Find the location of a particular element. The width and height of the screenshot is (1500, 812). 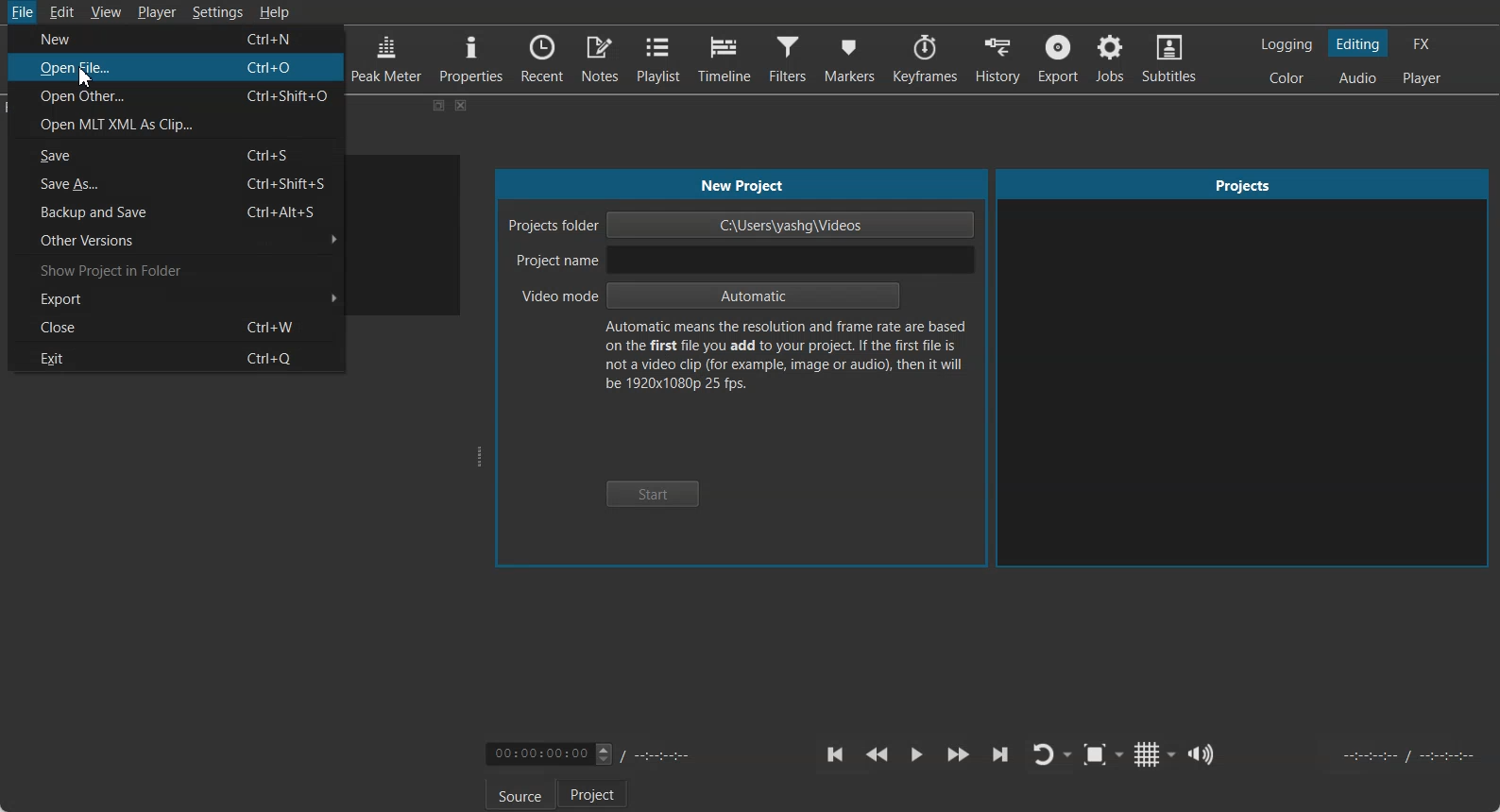

Ctrl+Alt+S is located at coordinates (283, 211).